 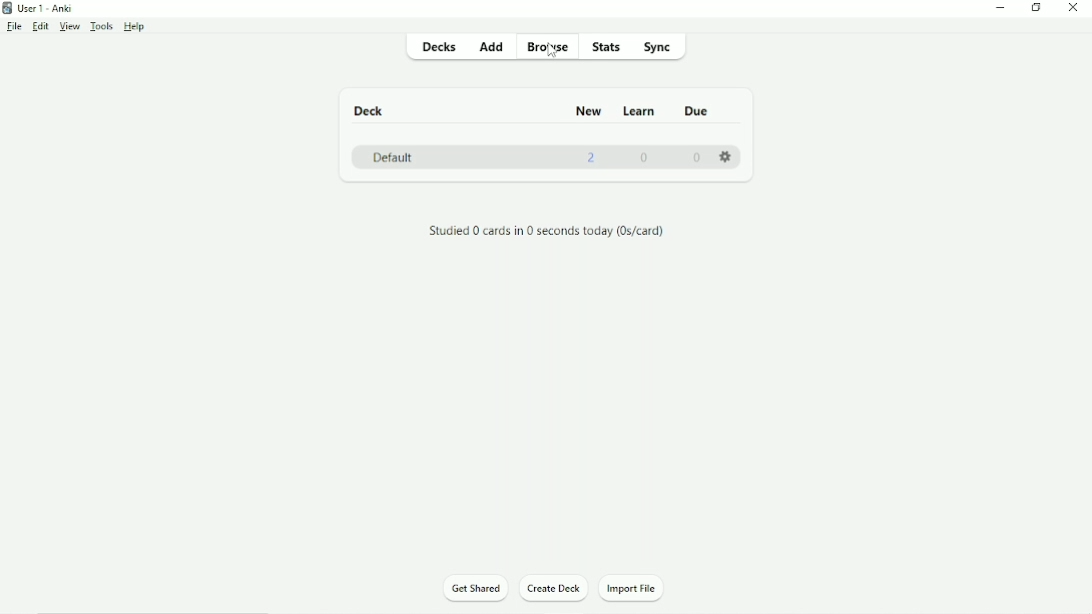 I want to click on Import file, so click(x=636, y=589).